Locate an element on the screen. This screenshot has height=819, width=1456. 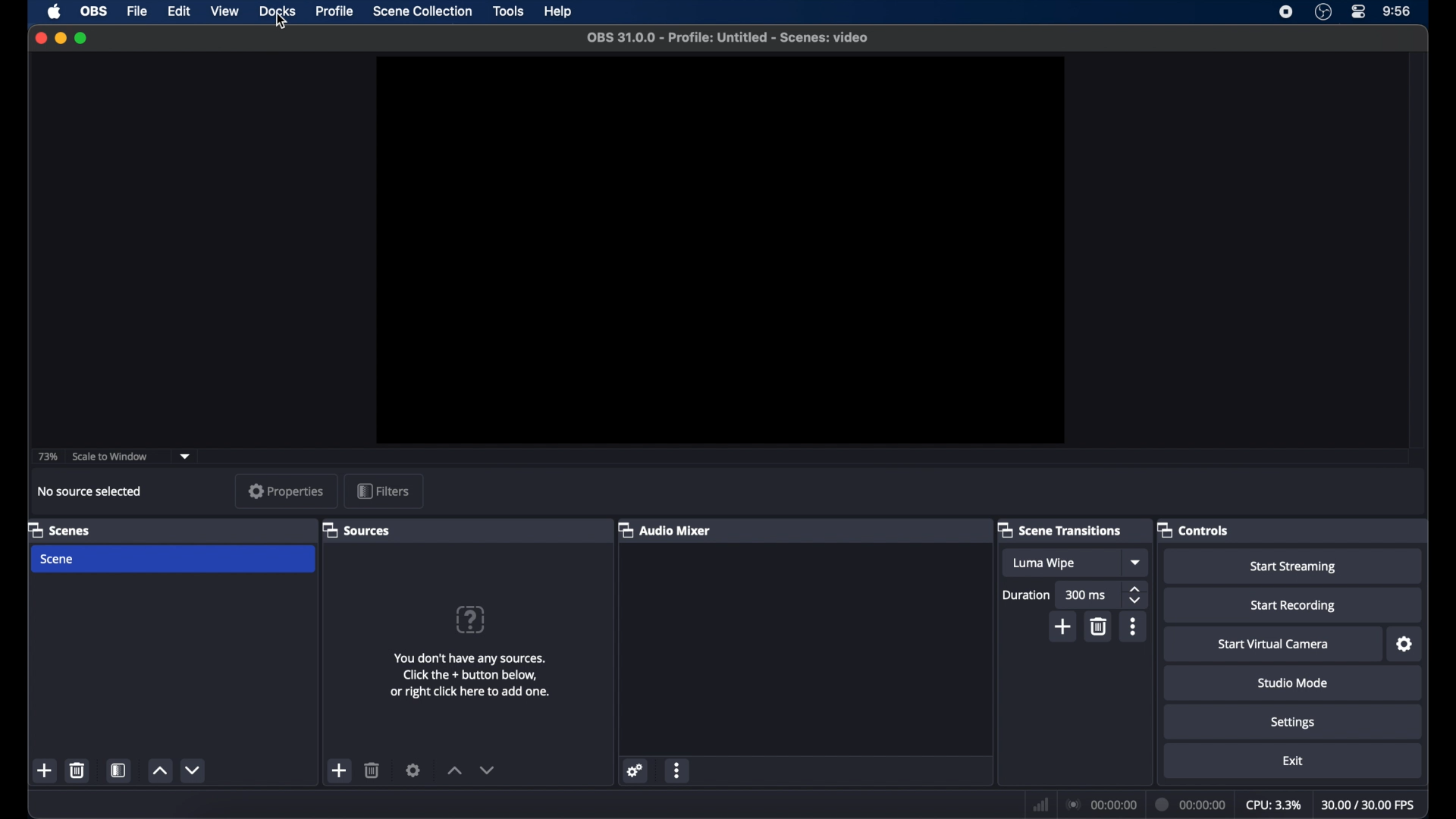
73% is located at coordinates (47, 456).